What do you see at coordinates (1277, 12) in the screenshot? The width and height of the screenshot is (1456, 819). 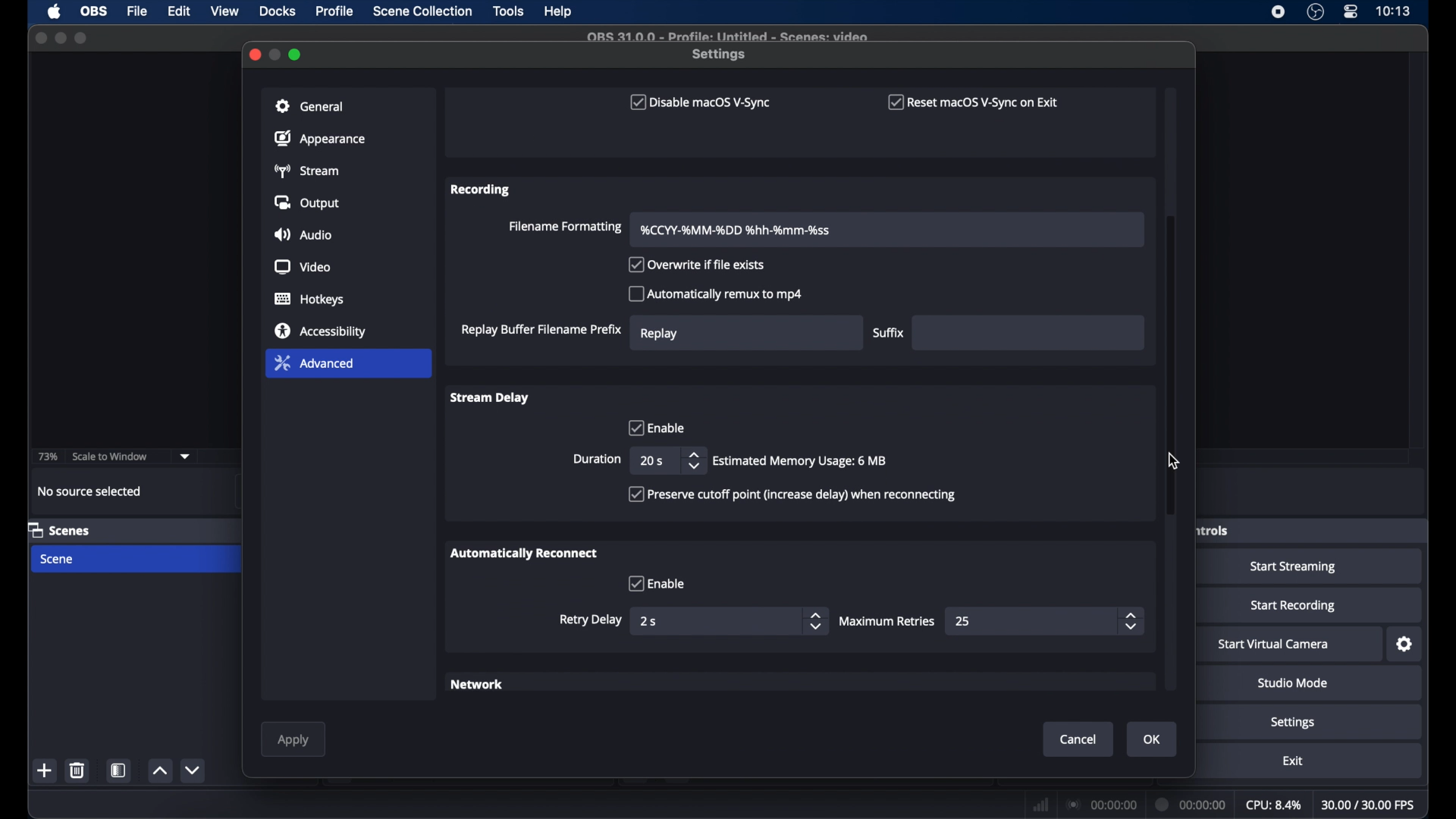 I see `screen recorder` at bounding box center [1277, 12].